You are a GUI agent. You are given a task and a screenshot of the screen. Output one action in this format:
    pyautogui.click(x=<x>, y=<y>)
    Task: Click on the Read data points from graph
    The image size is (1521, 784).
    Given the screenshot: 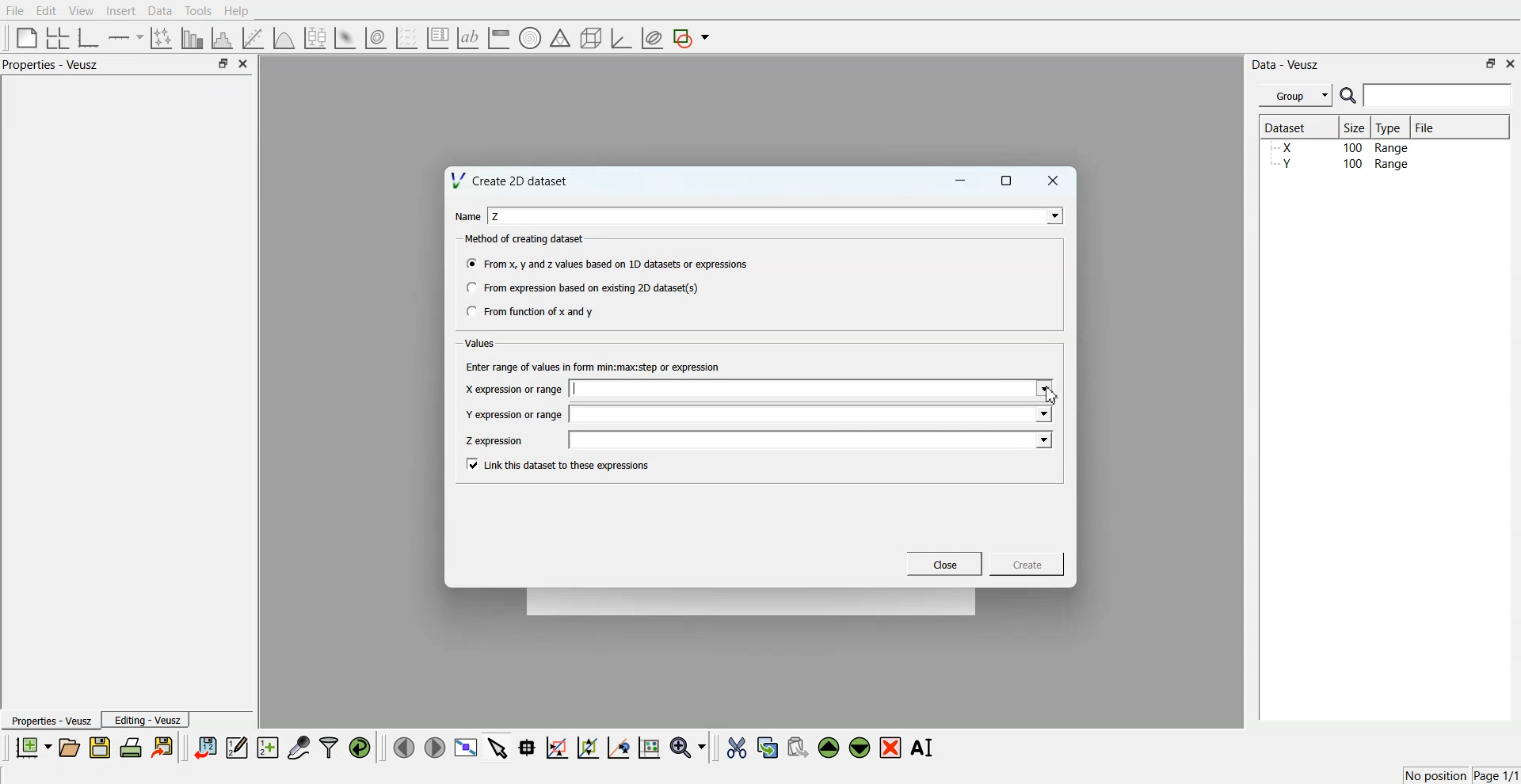 What is the action you would take?
    pyautogui.click(x=528, y=747)
    